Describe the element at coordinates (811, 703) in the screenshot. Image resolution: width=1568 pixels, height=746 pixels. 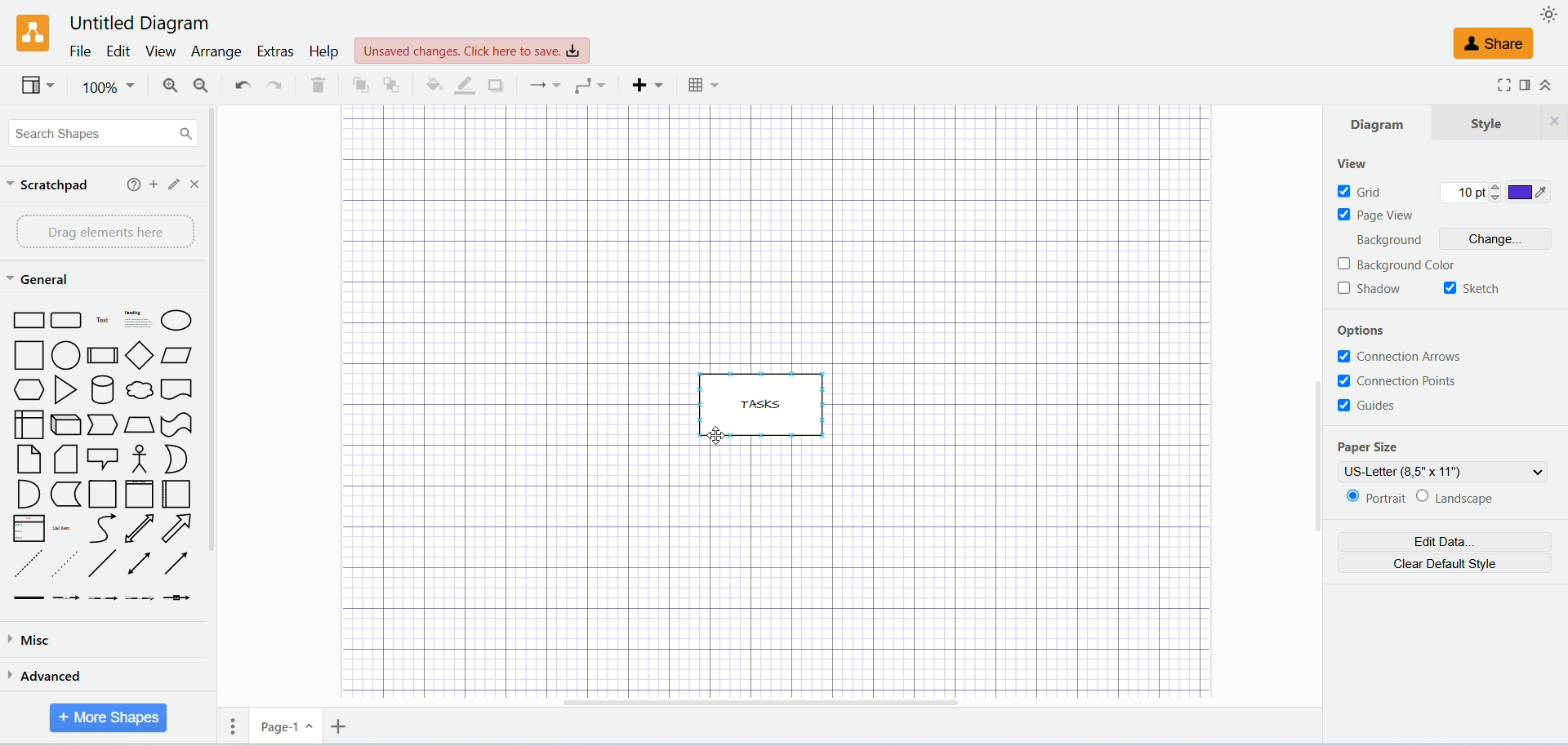
I see `horizontal scroll bar` at that location.